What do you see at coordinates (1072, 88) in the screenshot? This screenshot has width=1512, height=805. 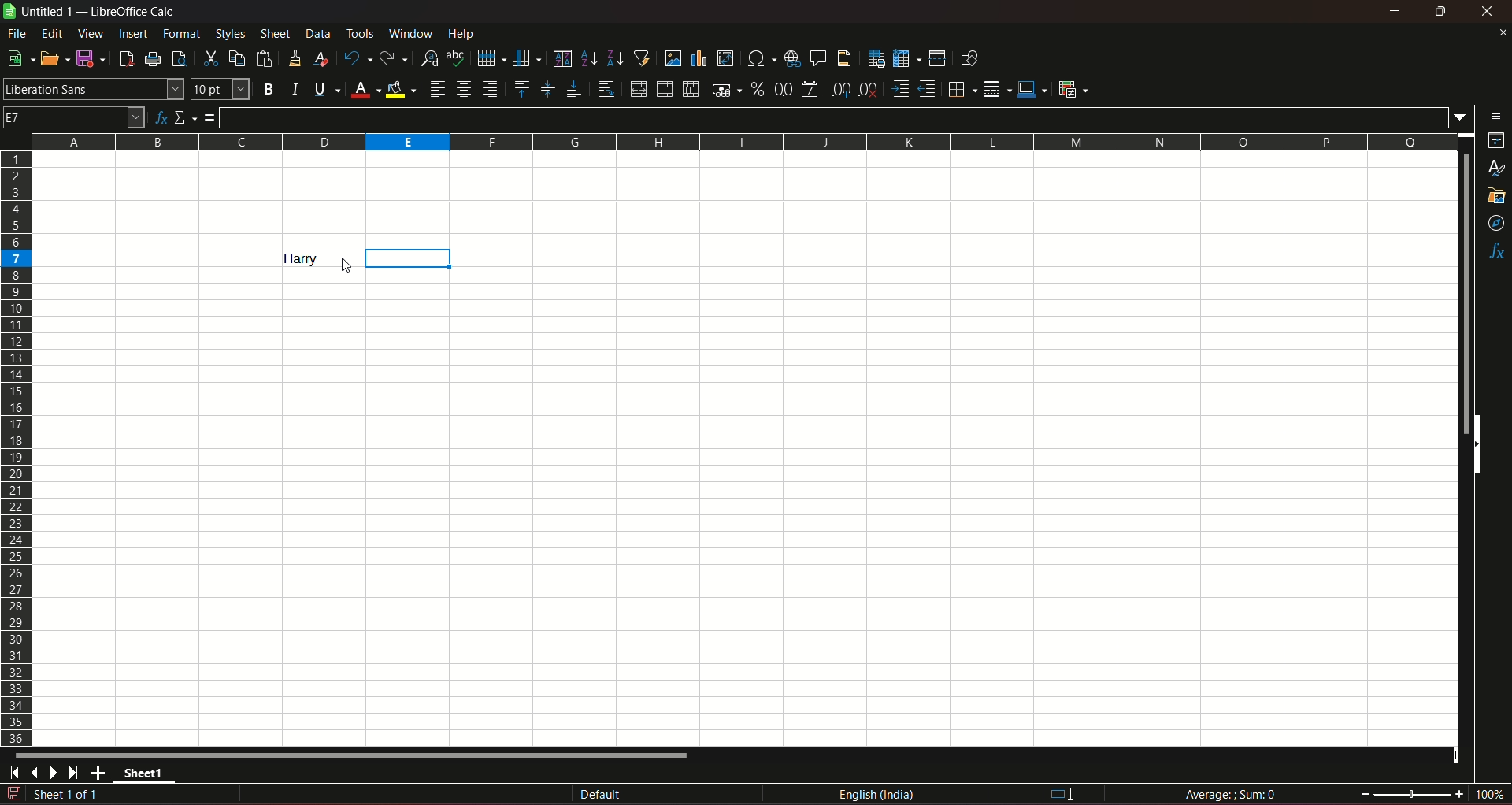 I see `conditional` at bounding box center [1072, 88].